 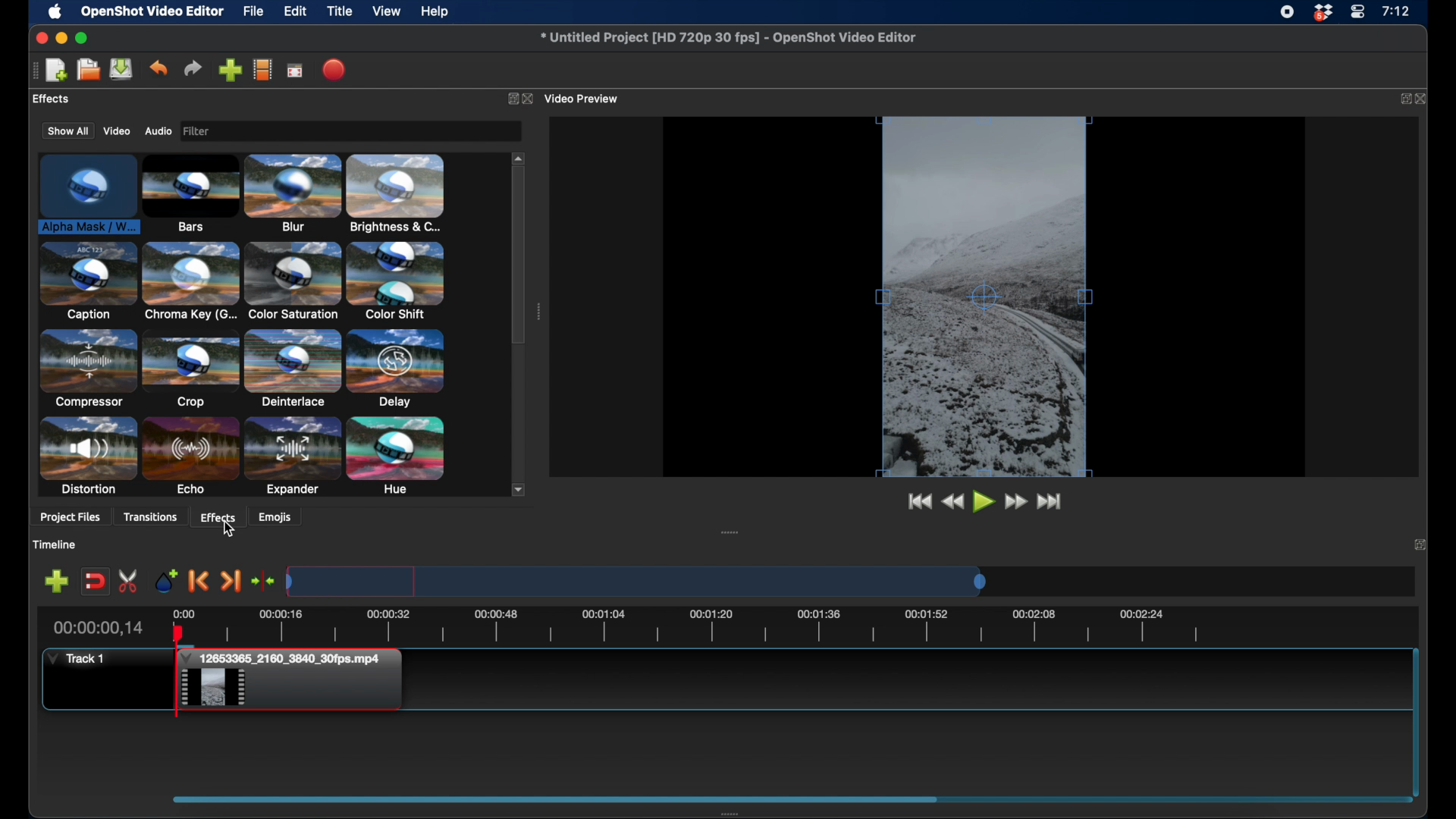 What do you see at coordinates (395, 280) in the screenshot?
I see `color shift` at bounding box center [395, 280].